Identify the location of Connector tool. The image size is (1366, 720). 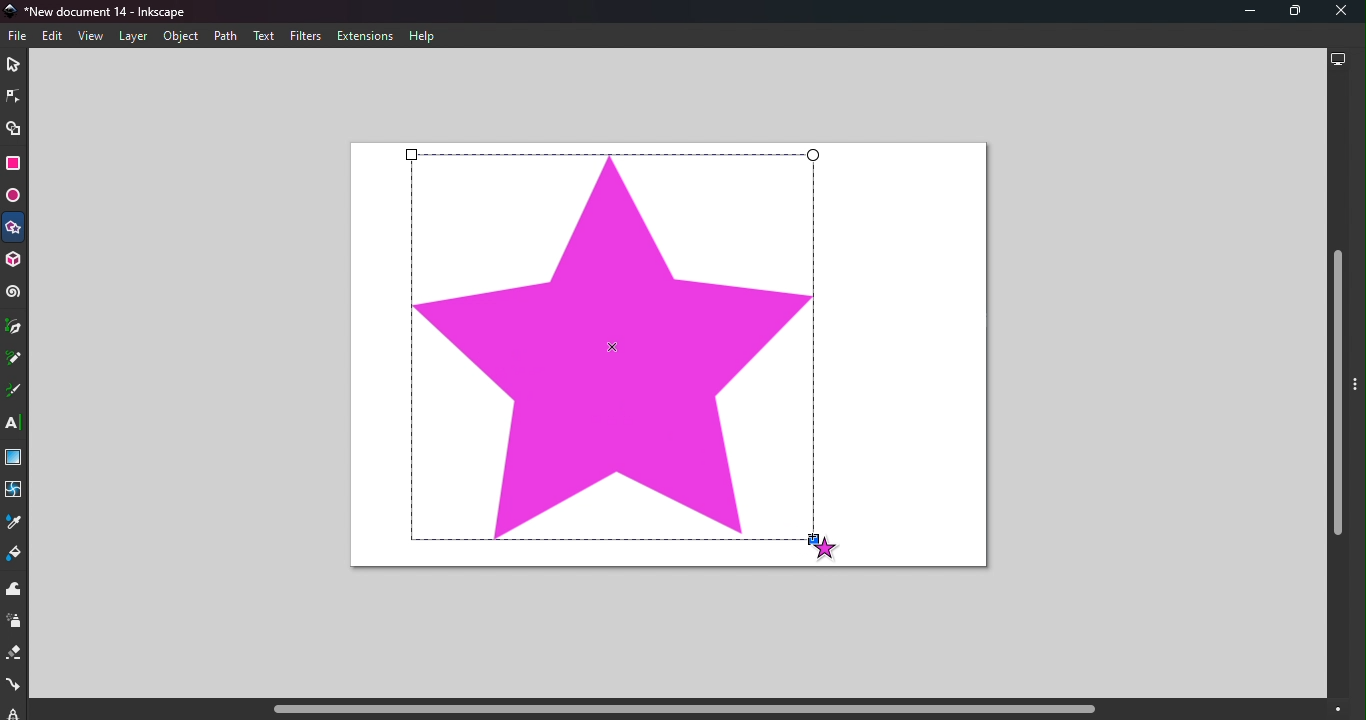
(13, 687).